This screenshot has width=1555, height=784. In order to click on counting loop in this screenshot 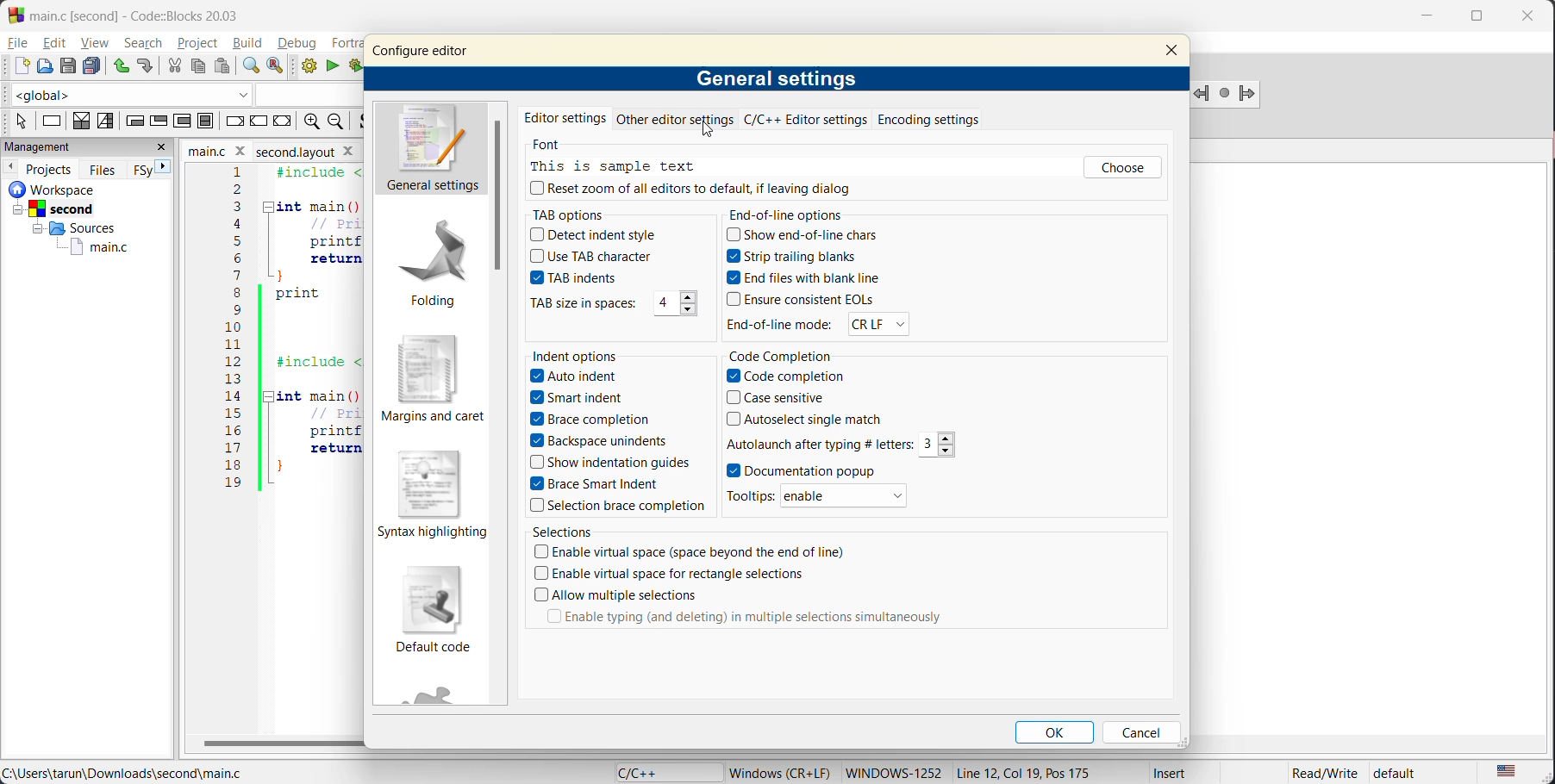, I will do `click(182, 122)`.